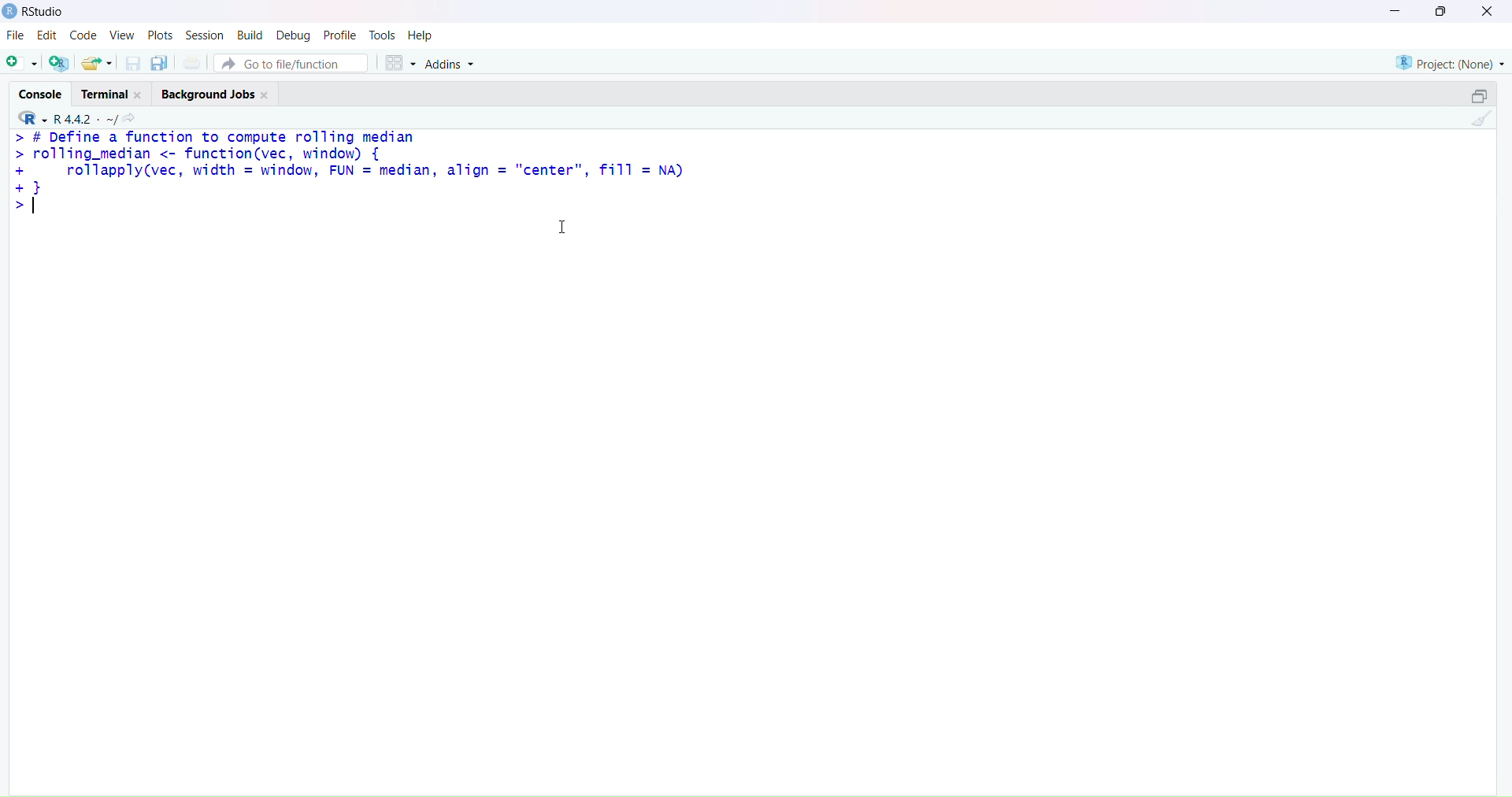 Image resolution: width=1512 pixels, height=797 pixels. I want to click on edit, so click(47, 35).